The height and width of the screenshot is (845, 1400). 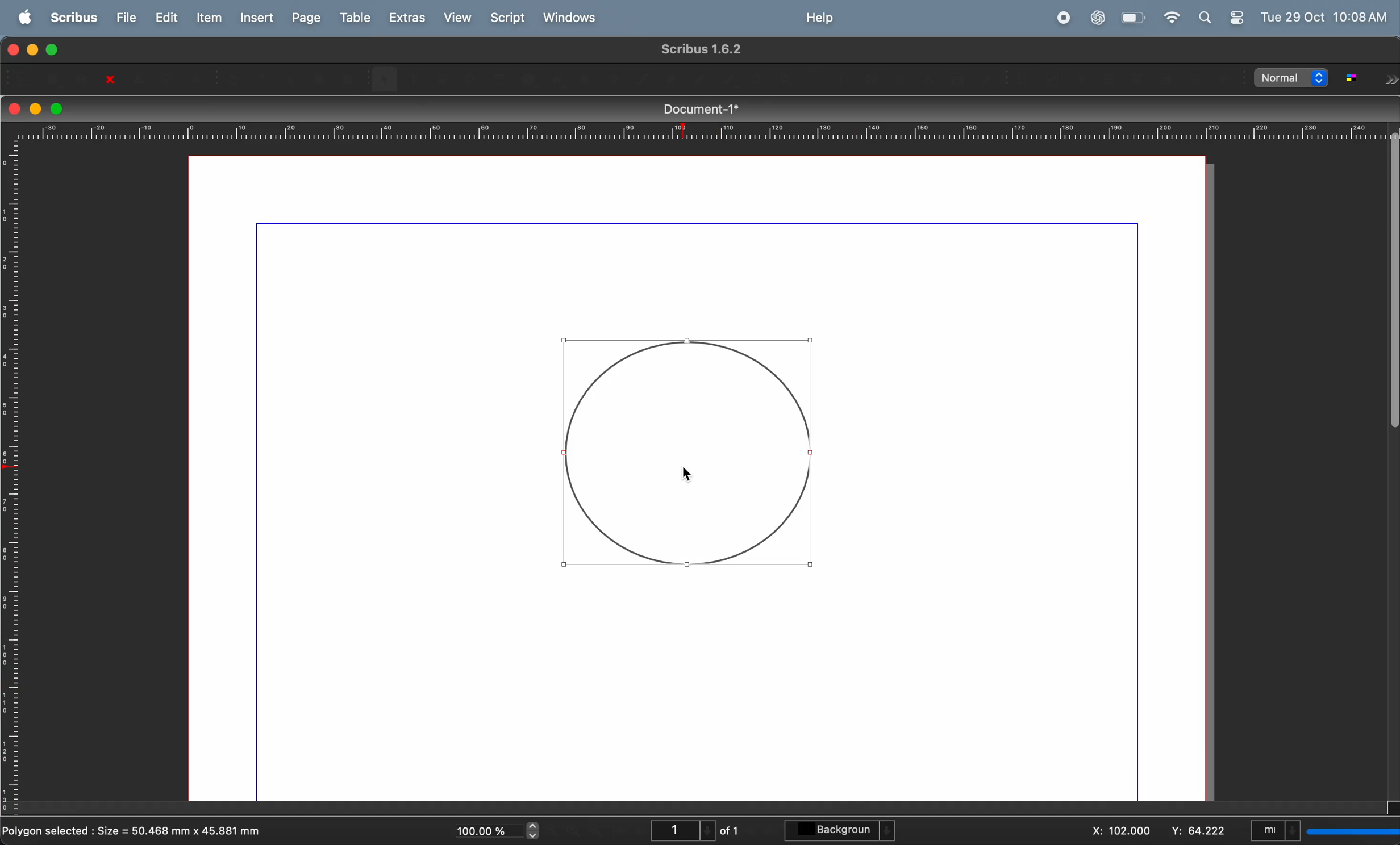 I want to click on scribble version, so click(x=699, y=49).